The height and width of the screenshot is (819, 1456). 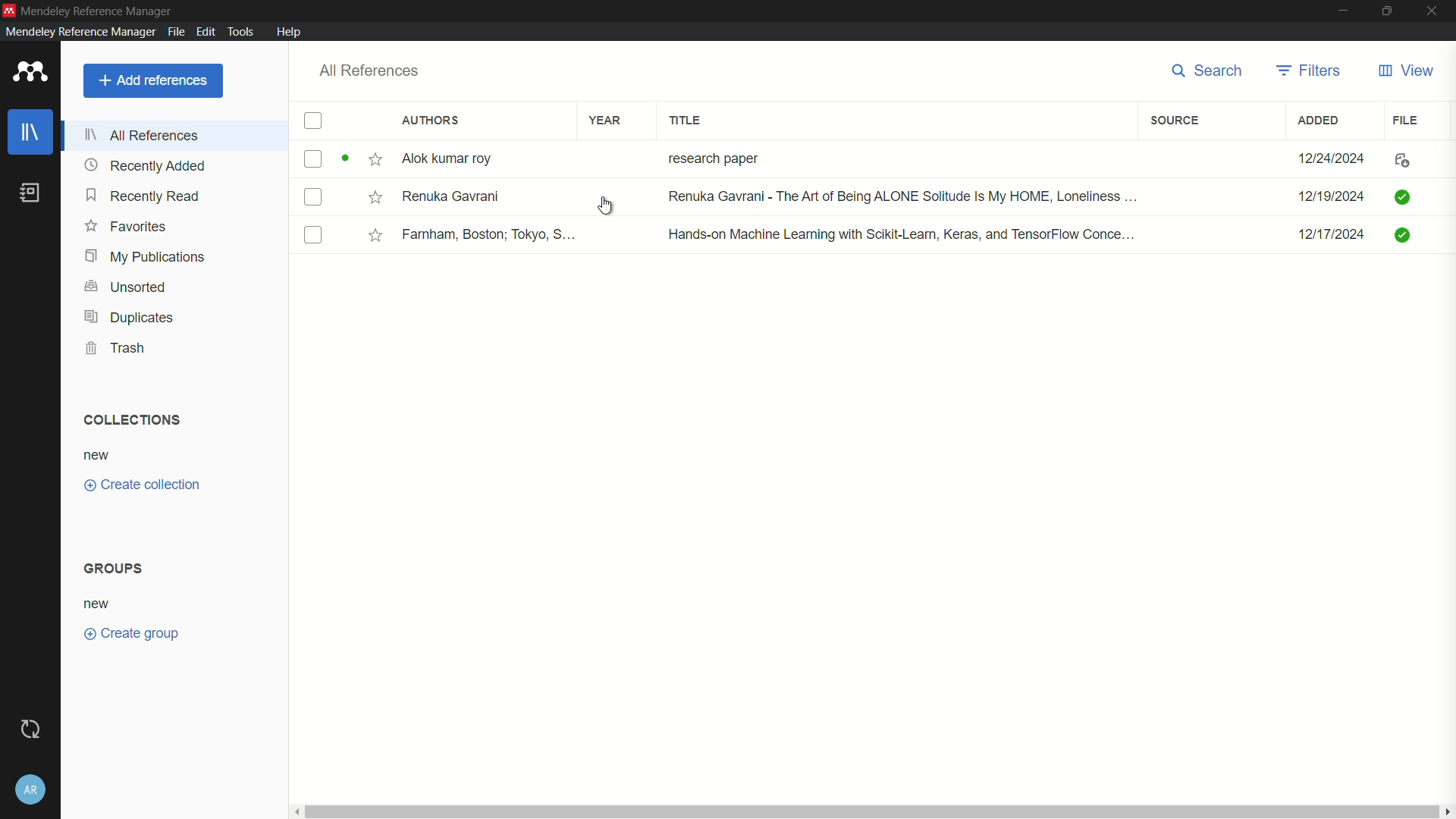 I want to click on maximize, so click(x=1385, y=11).